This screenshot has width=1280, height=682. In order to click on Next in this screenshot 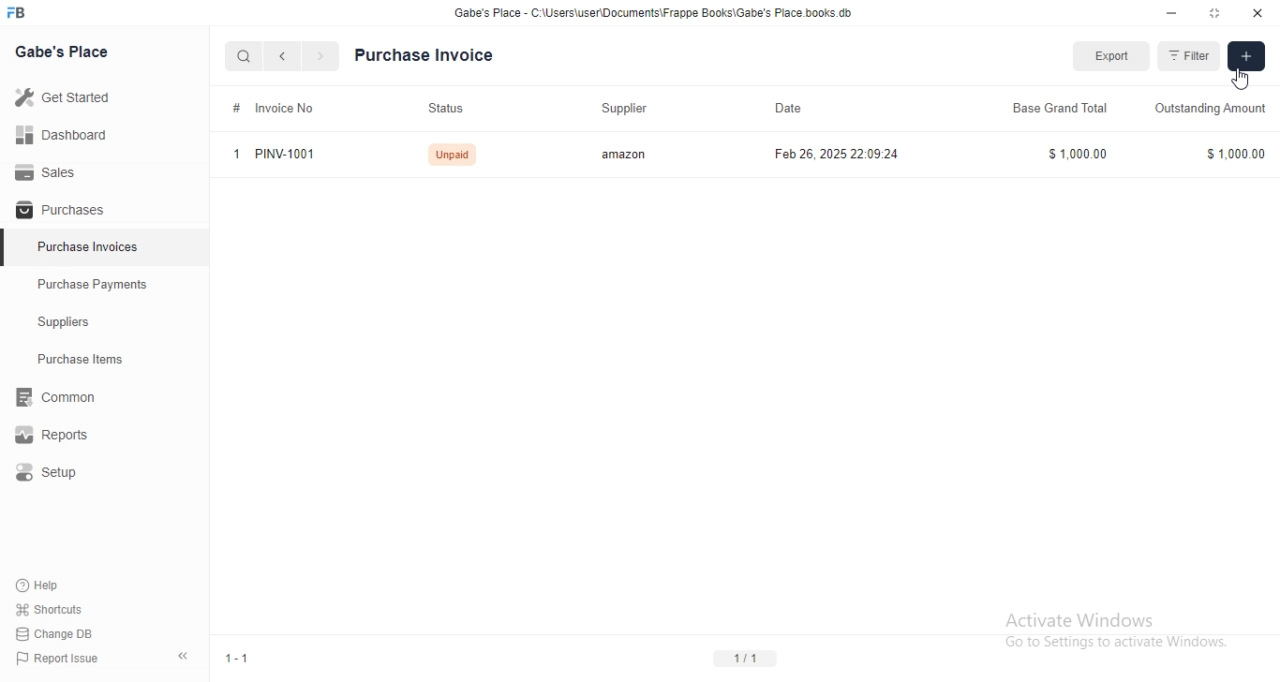, I will do `click(322, 56)`.